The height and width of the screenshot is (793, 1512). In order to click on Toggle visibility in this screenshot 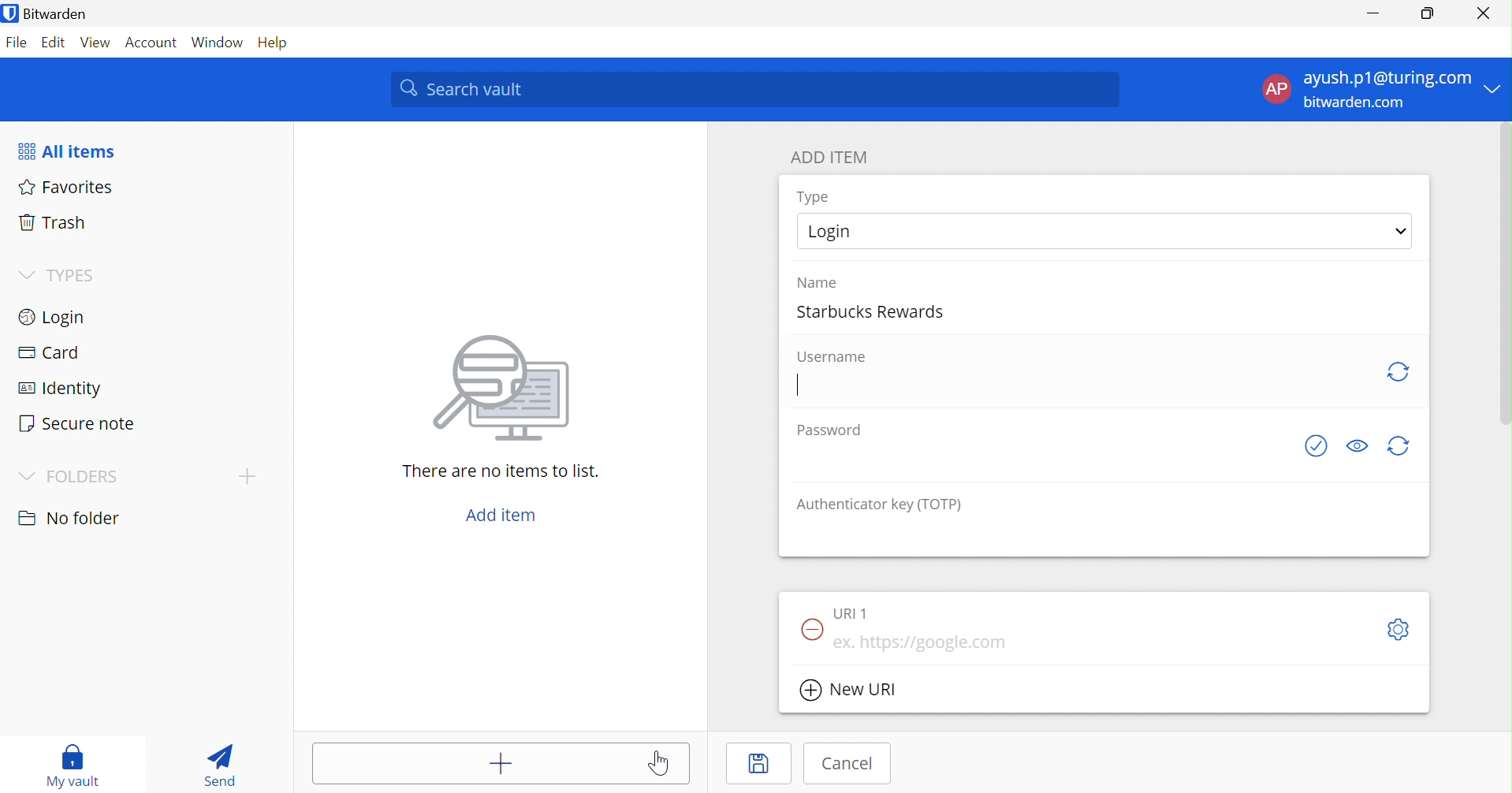, I will do `click(1357, 445)`.